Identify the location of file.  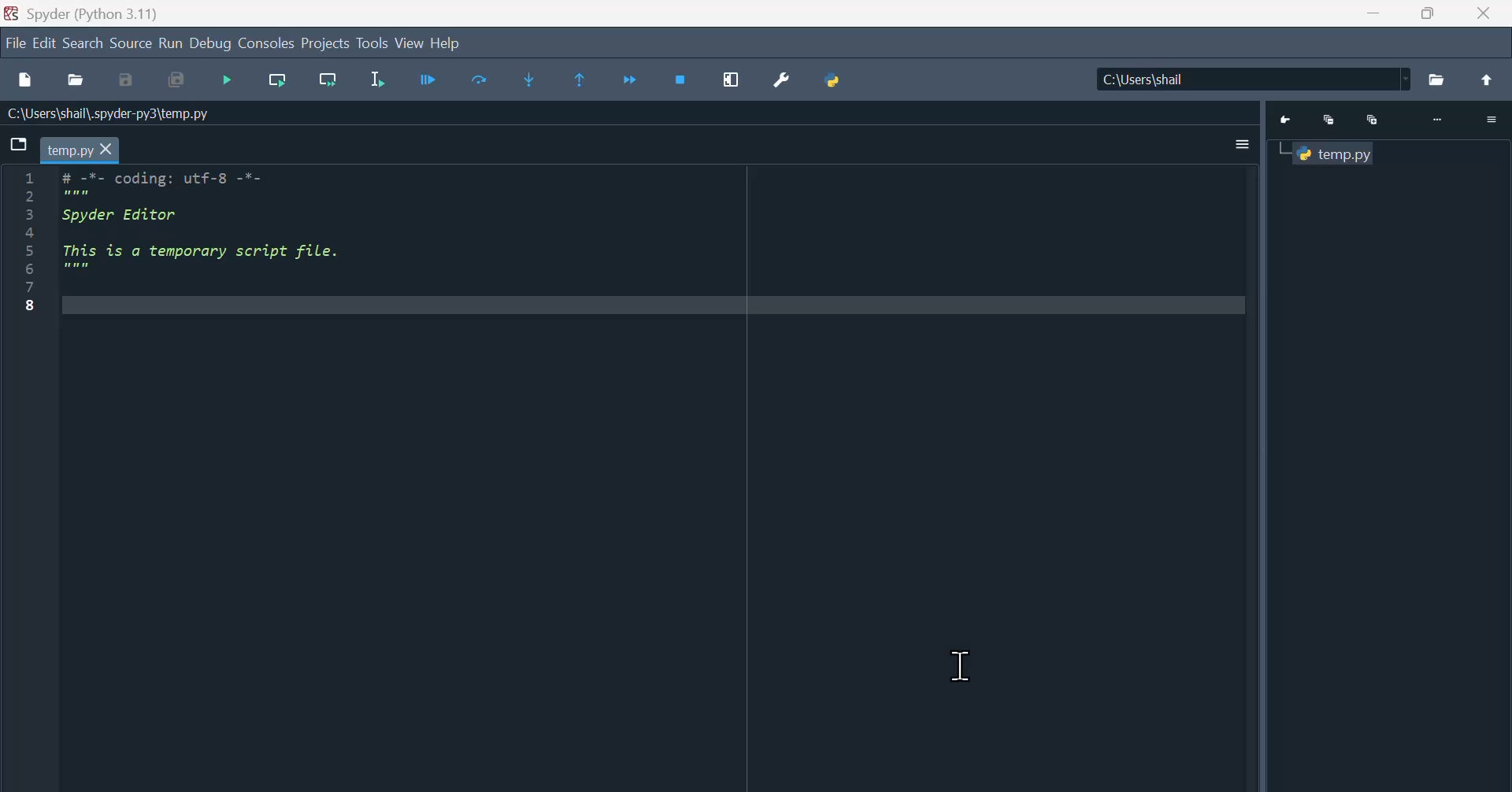
(14, 42).